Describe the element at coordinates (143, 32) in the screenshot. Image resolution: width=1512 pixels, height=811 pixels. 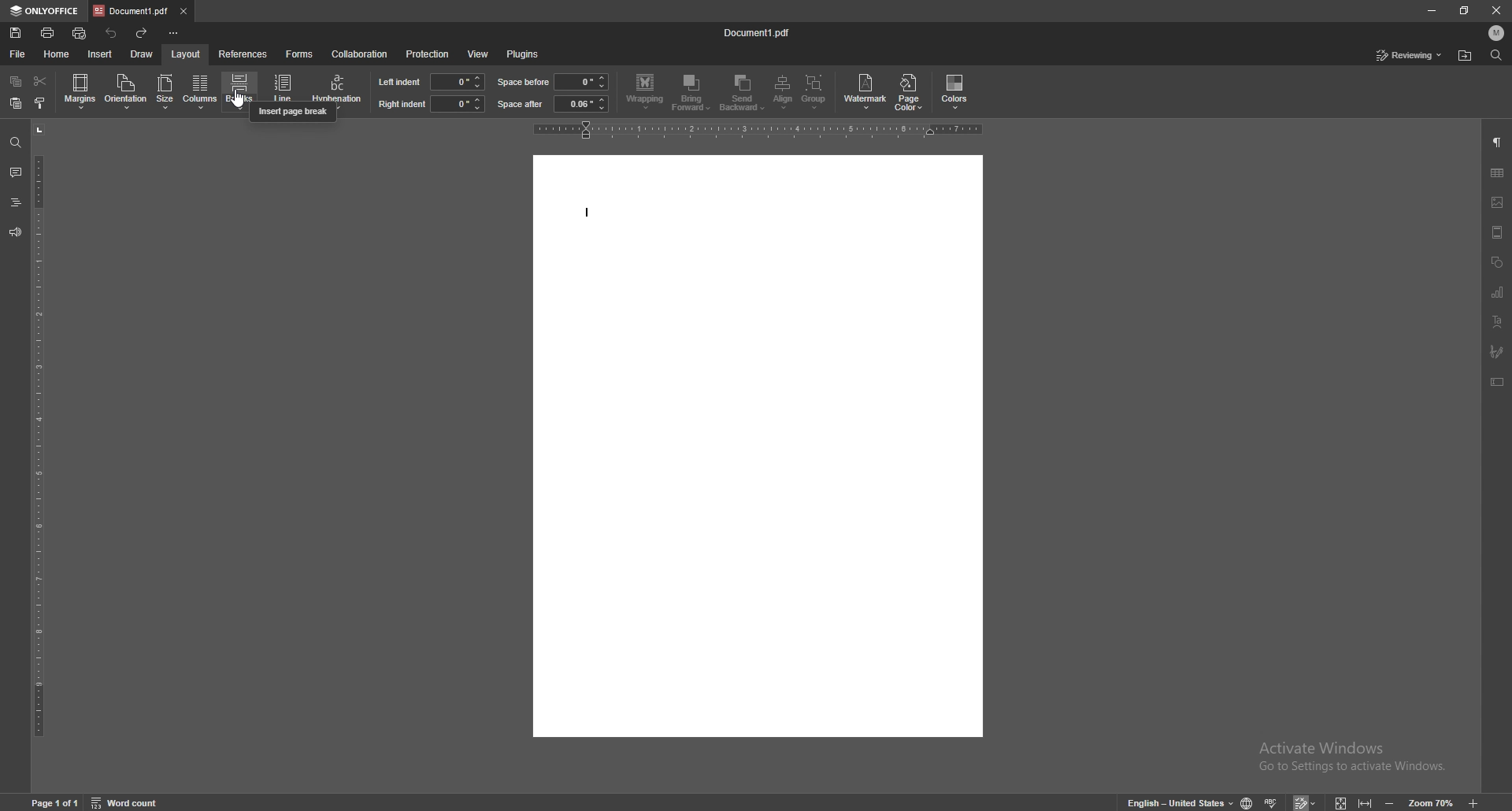
I see `redo` at that location.